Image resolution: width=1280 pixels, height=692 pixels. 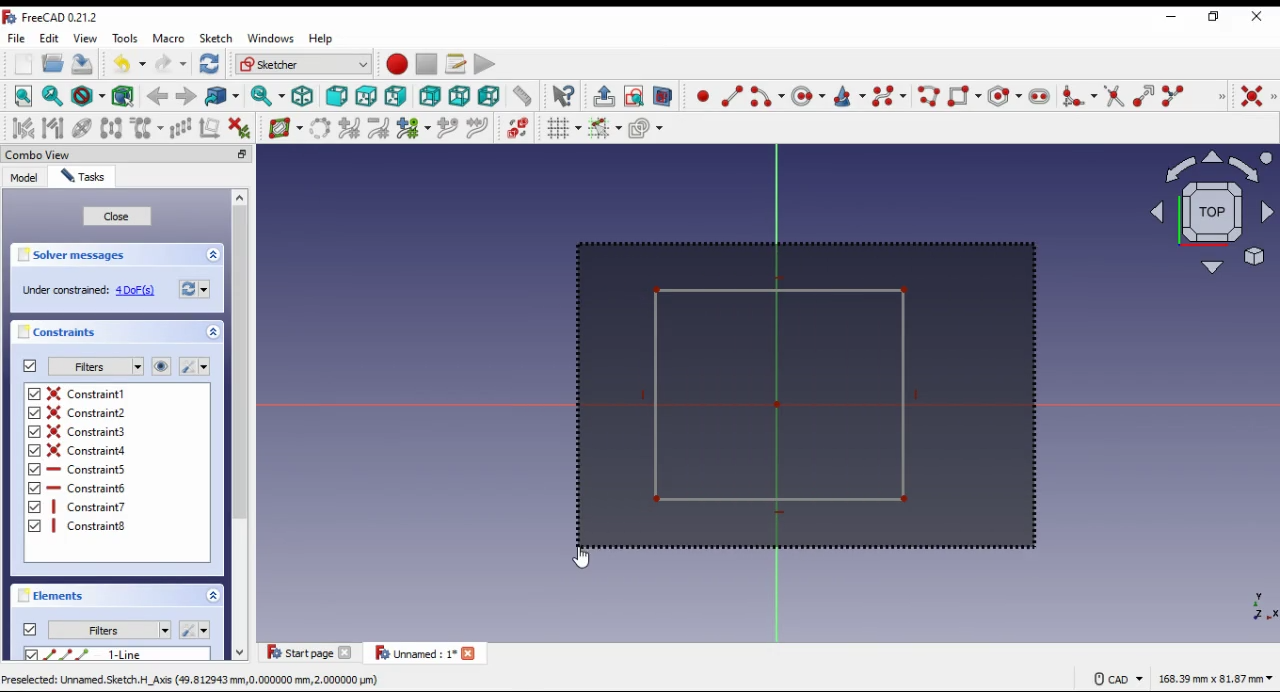 I want to click on undo, so click(x=130, y=64).